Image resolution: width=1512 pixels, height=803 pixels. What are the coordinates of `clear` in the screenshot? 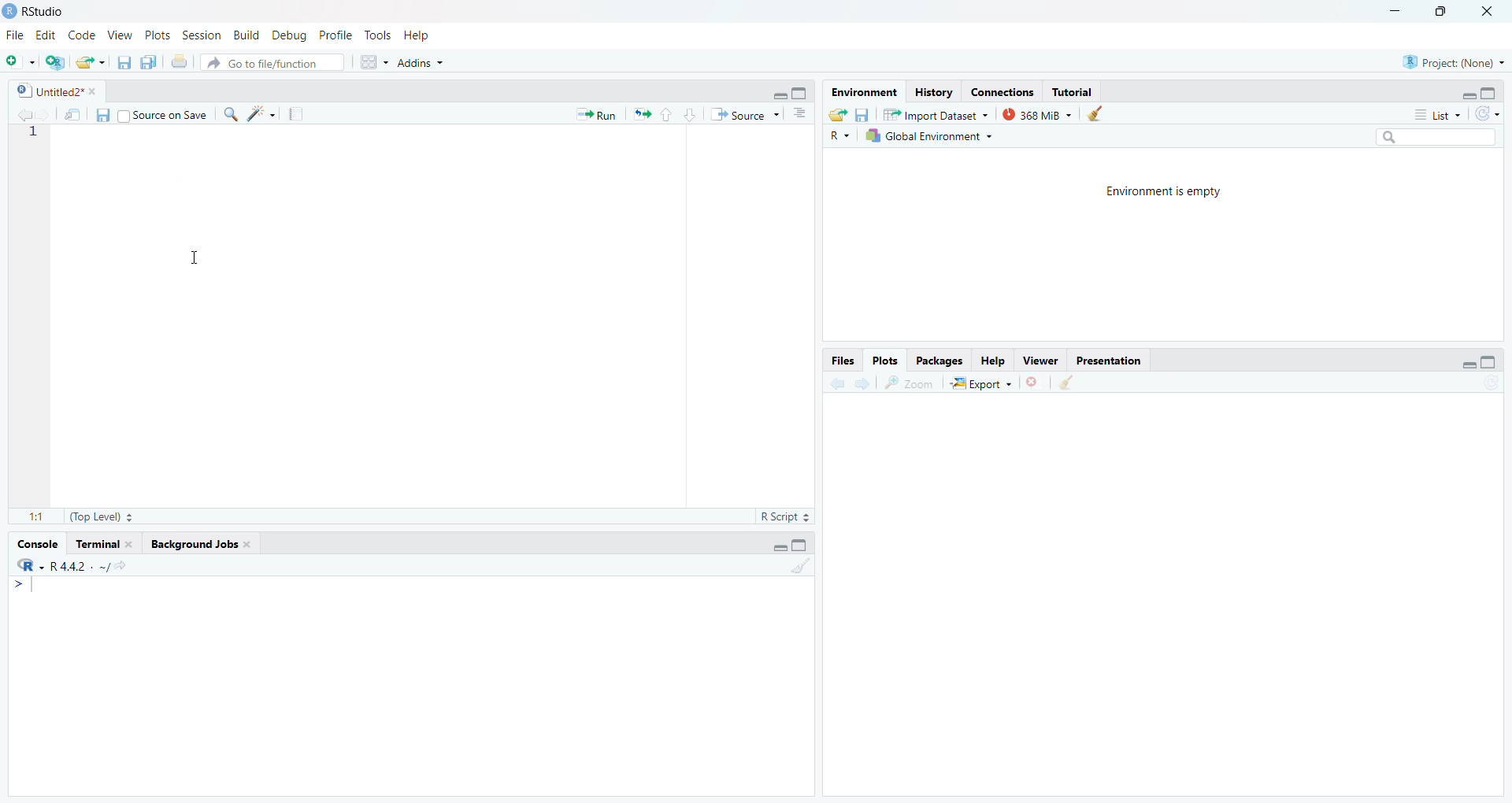 It's located at (1069, 385).